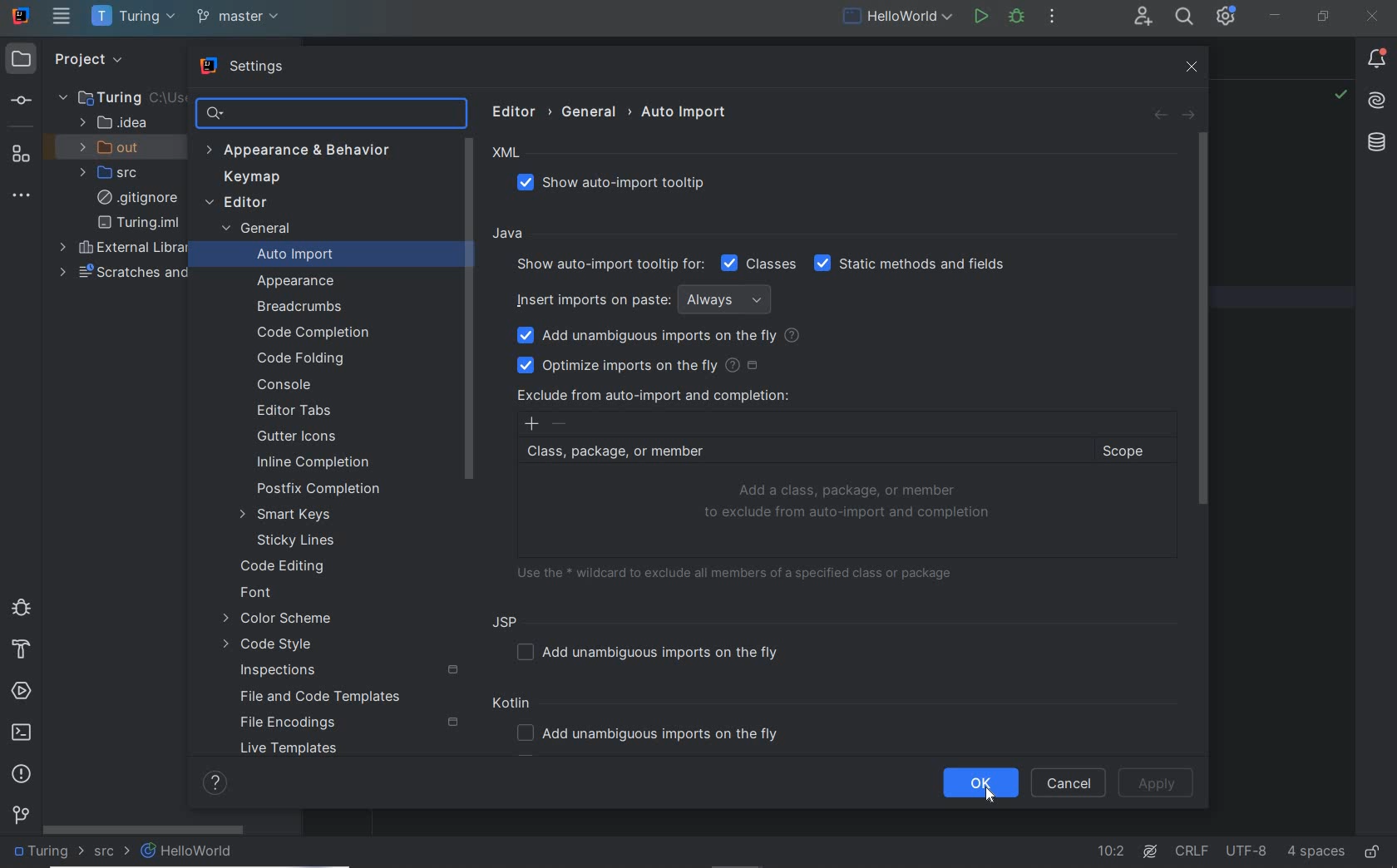 The height and width of the screenshot is (868, 1397). Describe the element at coordinates (303, 359) in the screenshot. I see `CODE FOLDING` at that location.